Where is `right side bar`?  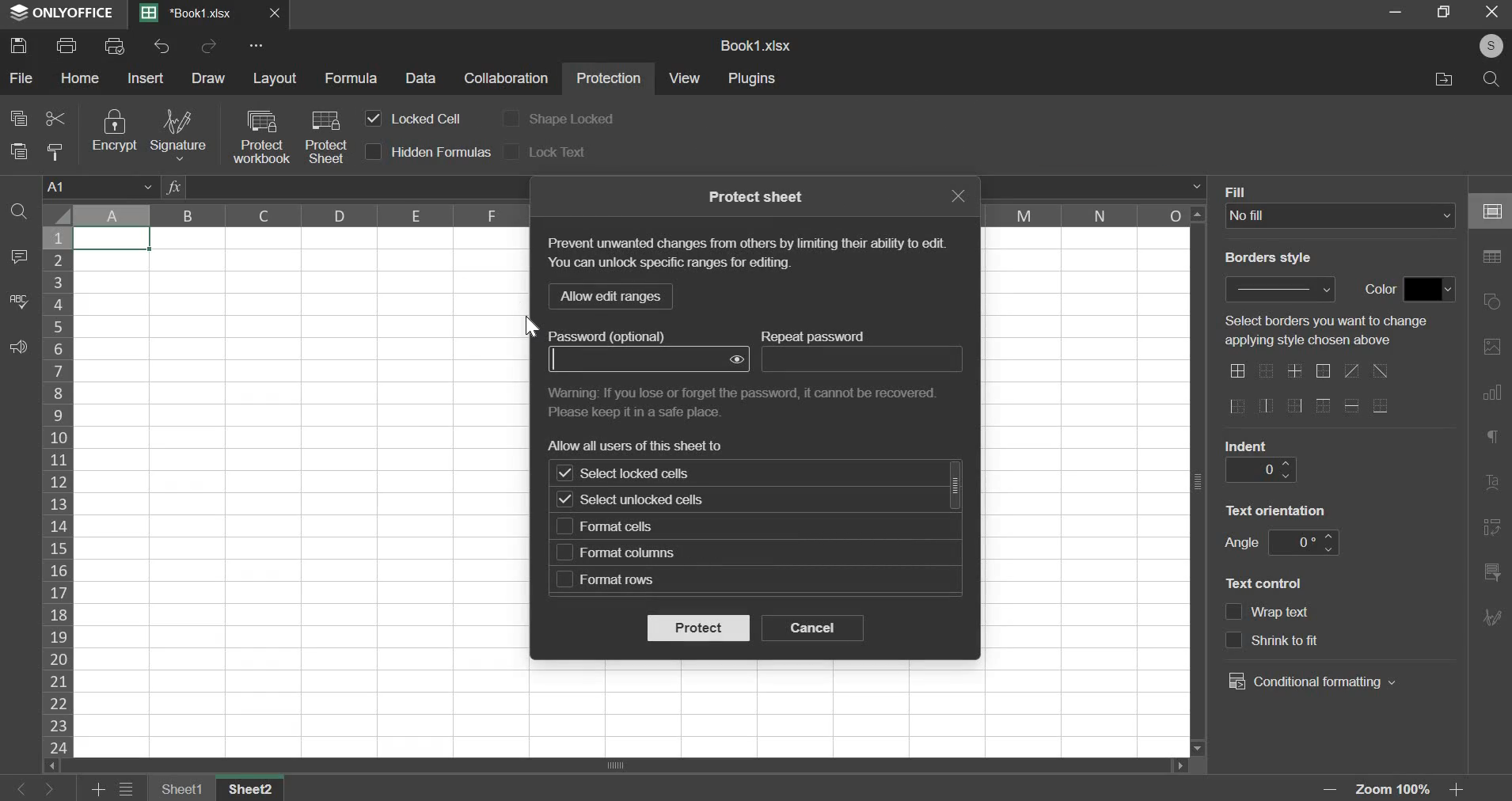 right side bar is located at coordinates (1491, 571).